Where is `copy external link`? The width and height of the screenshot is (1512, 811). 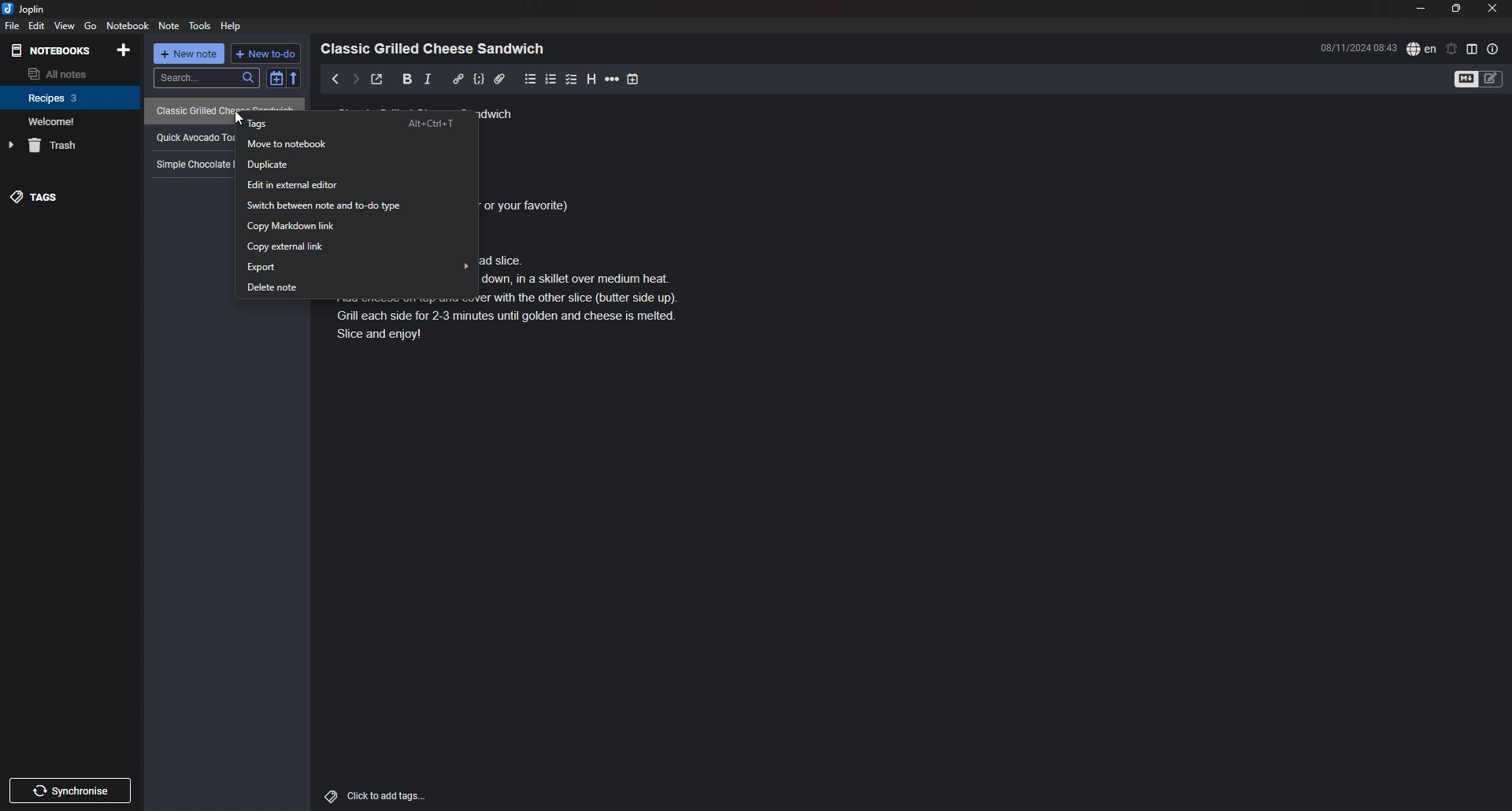 copy external link is located at coordinates (359, 247).